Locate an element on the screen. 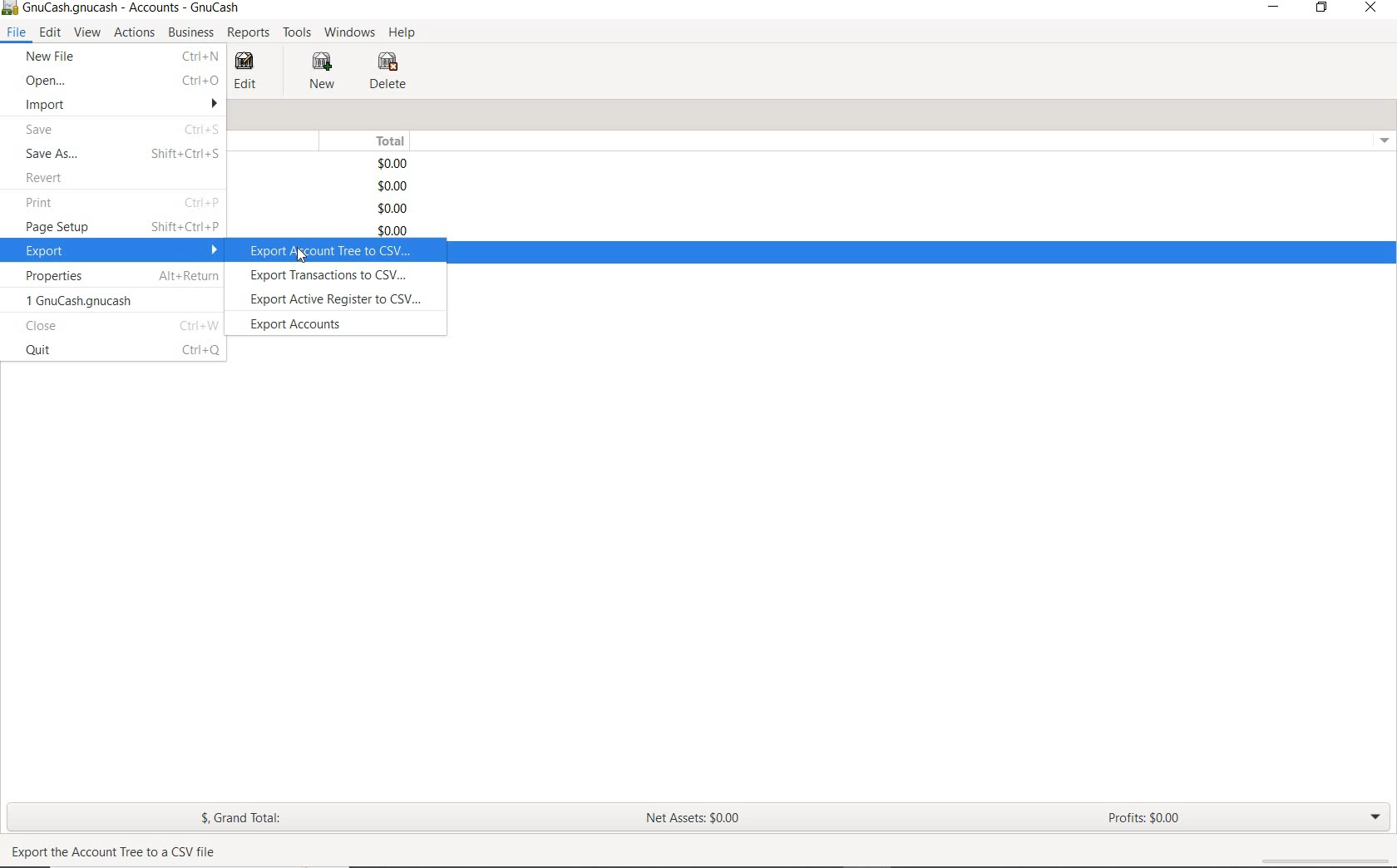  EXPAND is located at coordinates (1373, 819).